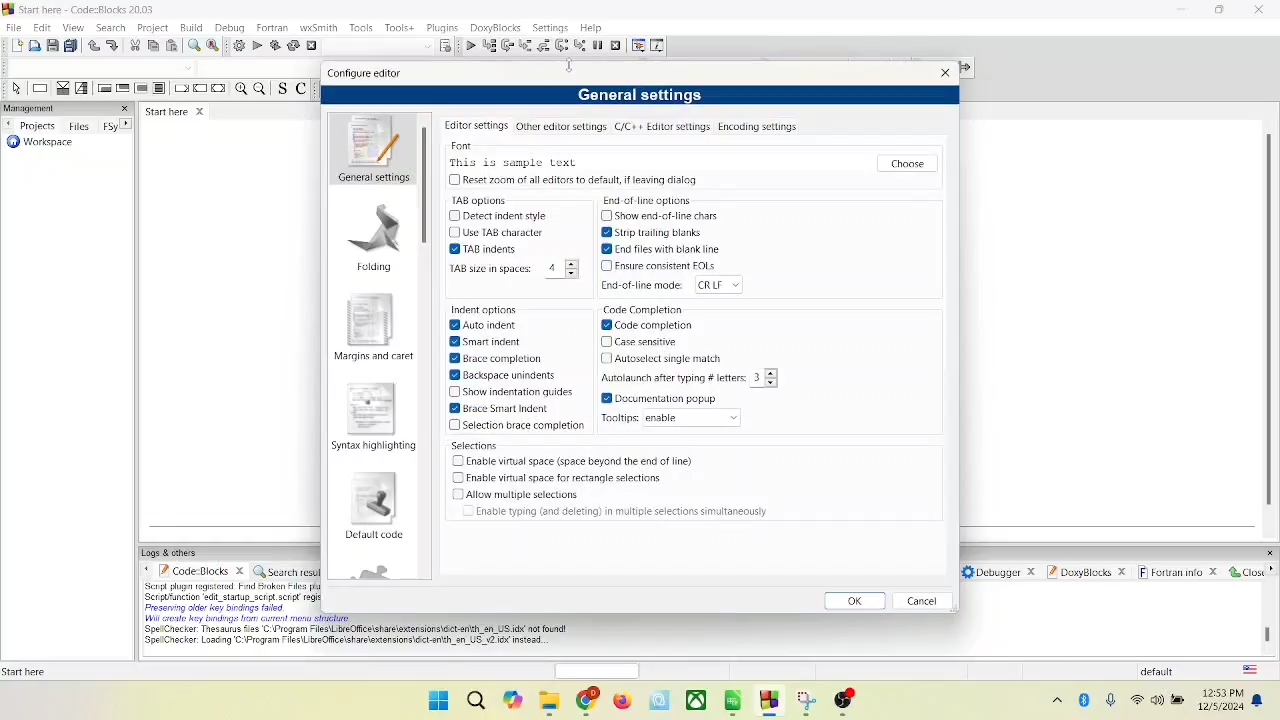  What do you see at coordinates (165, 114) in the screenshot?
I see `start here` at bounding box center [165, 114].